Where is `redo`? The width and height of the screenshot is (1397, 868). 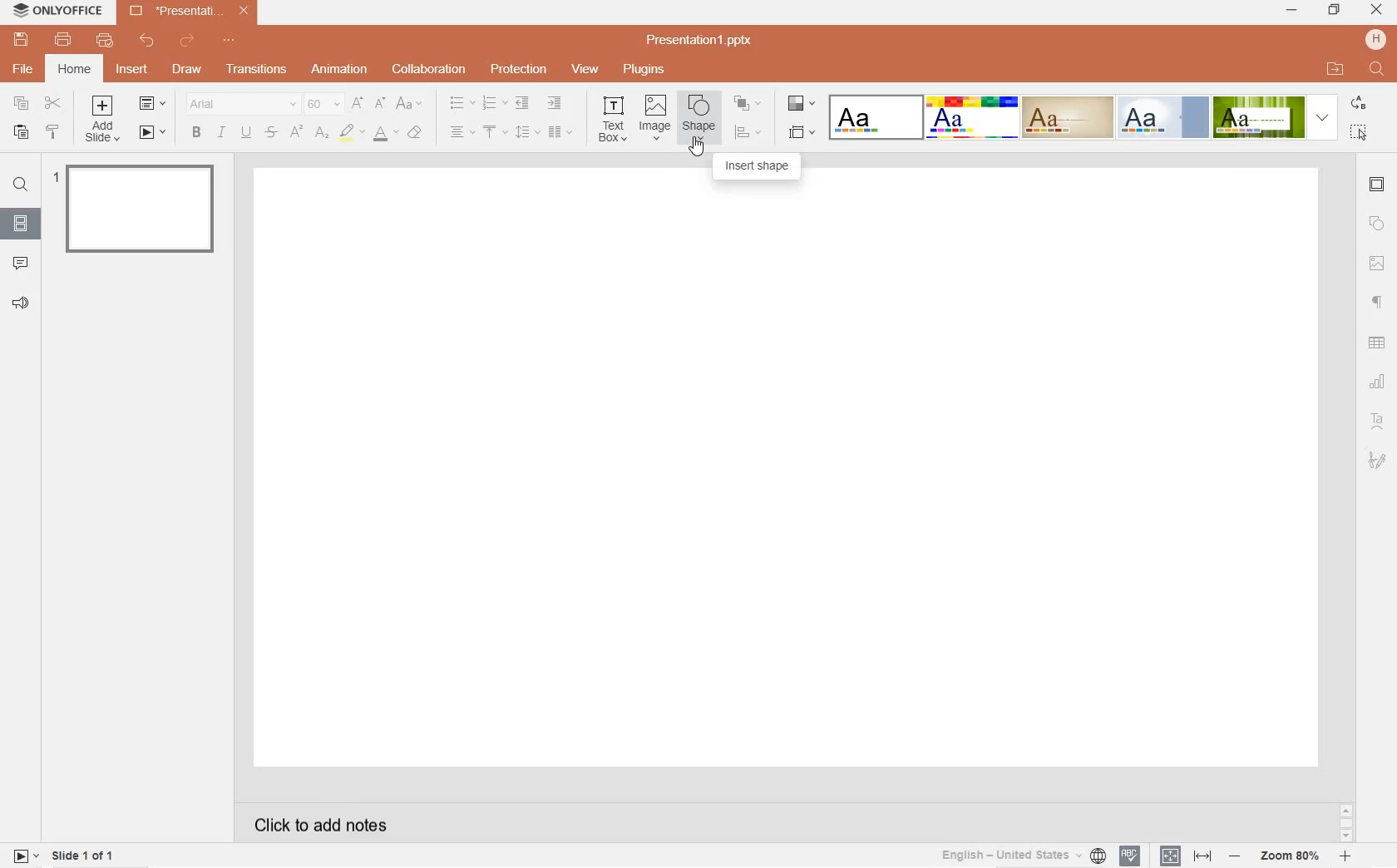
redo is located at coordinates (188, 42).